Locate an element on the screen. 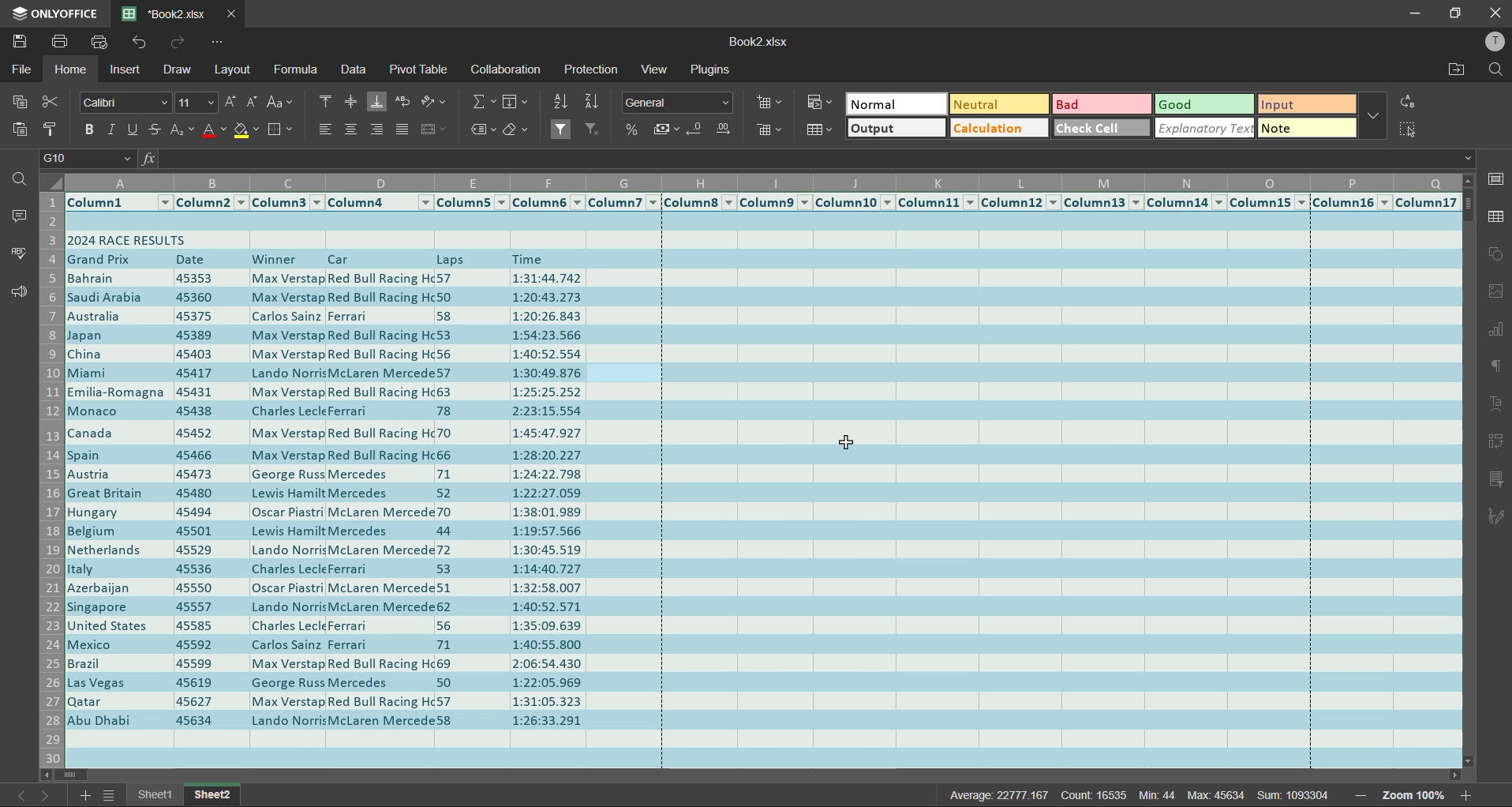 Image resolution: width=1512 pixels, height=807 pixels. named ranges is located at coordinates (485, 129).